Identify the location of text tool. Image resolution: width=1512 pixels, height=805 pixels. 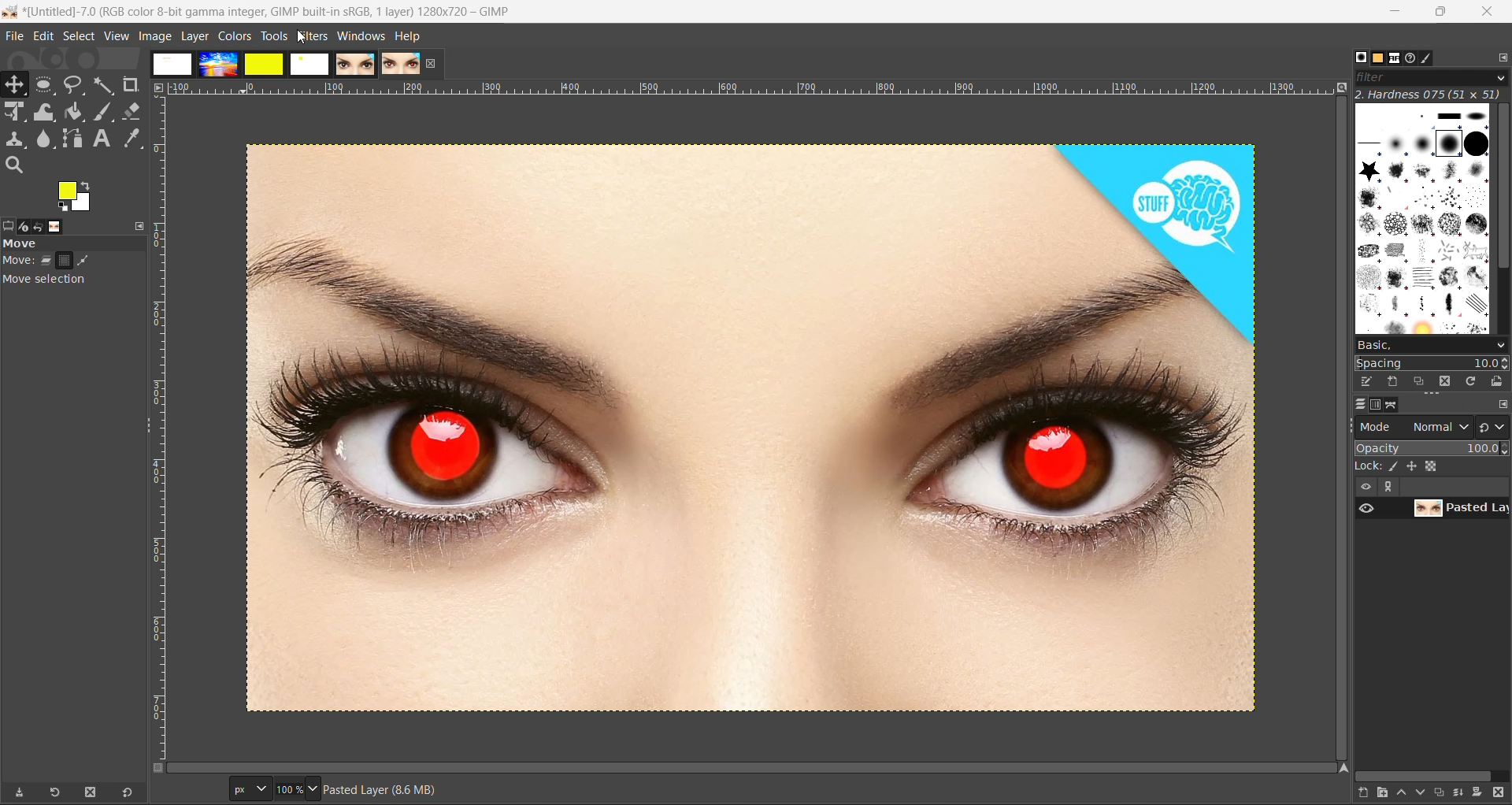
(102, 139).